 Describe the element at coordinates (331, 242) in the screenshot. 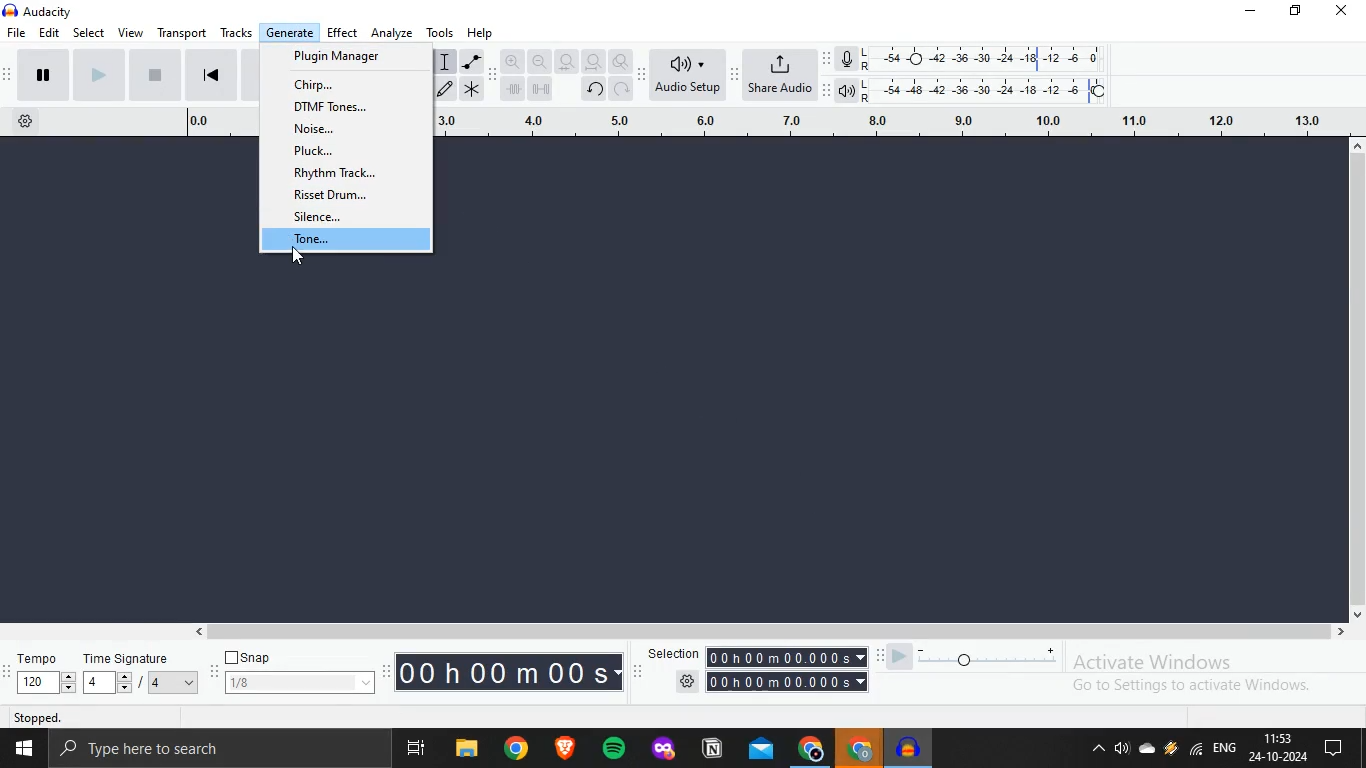

I see `tone` at that location.